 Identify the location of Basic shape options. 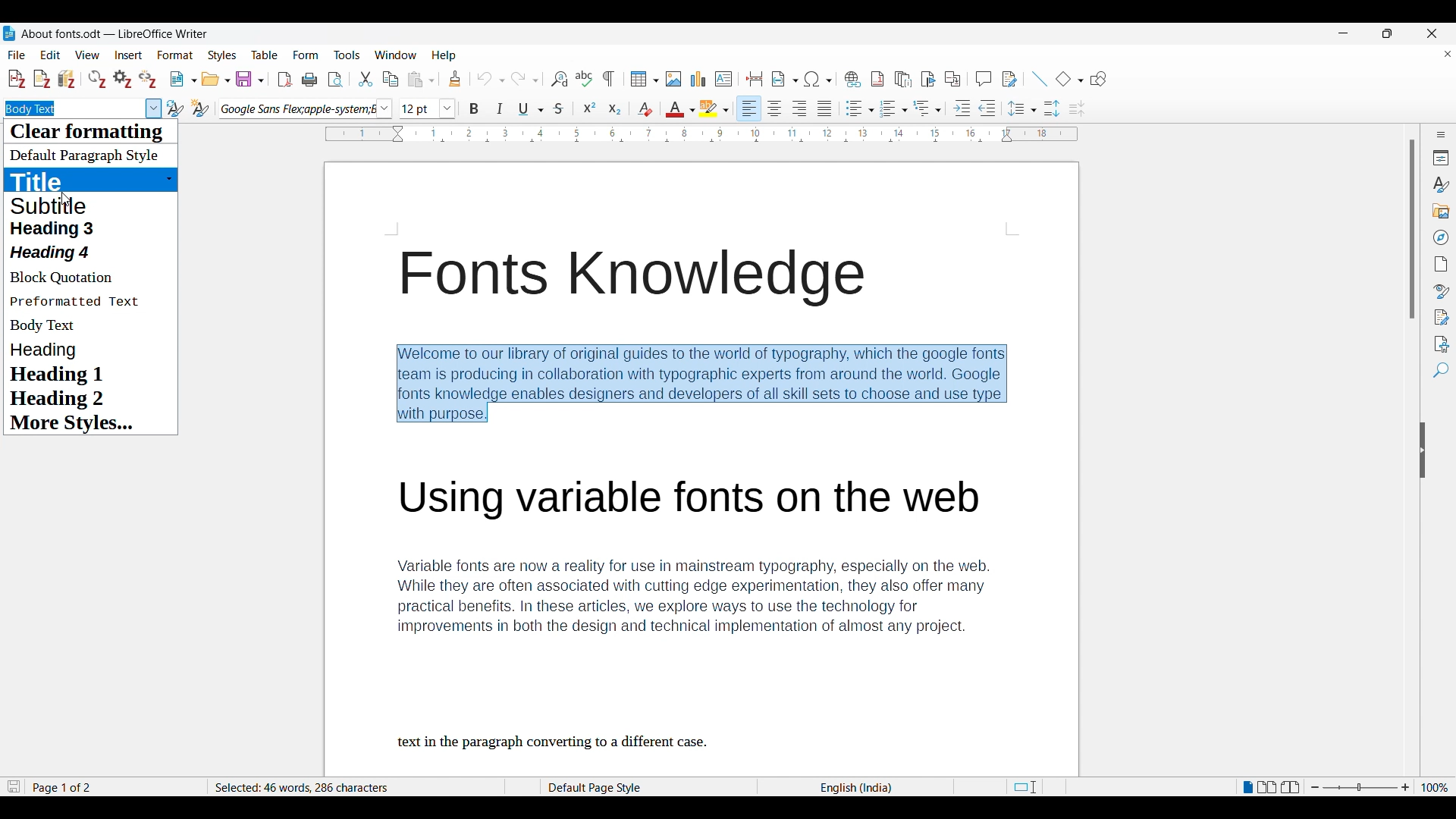
(1070, 78).